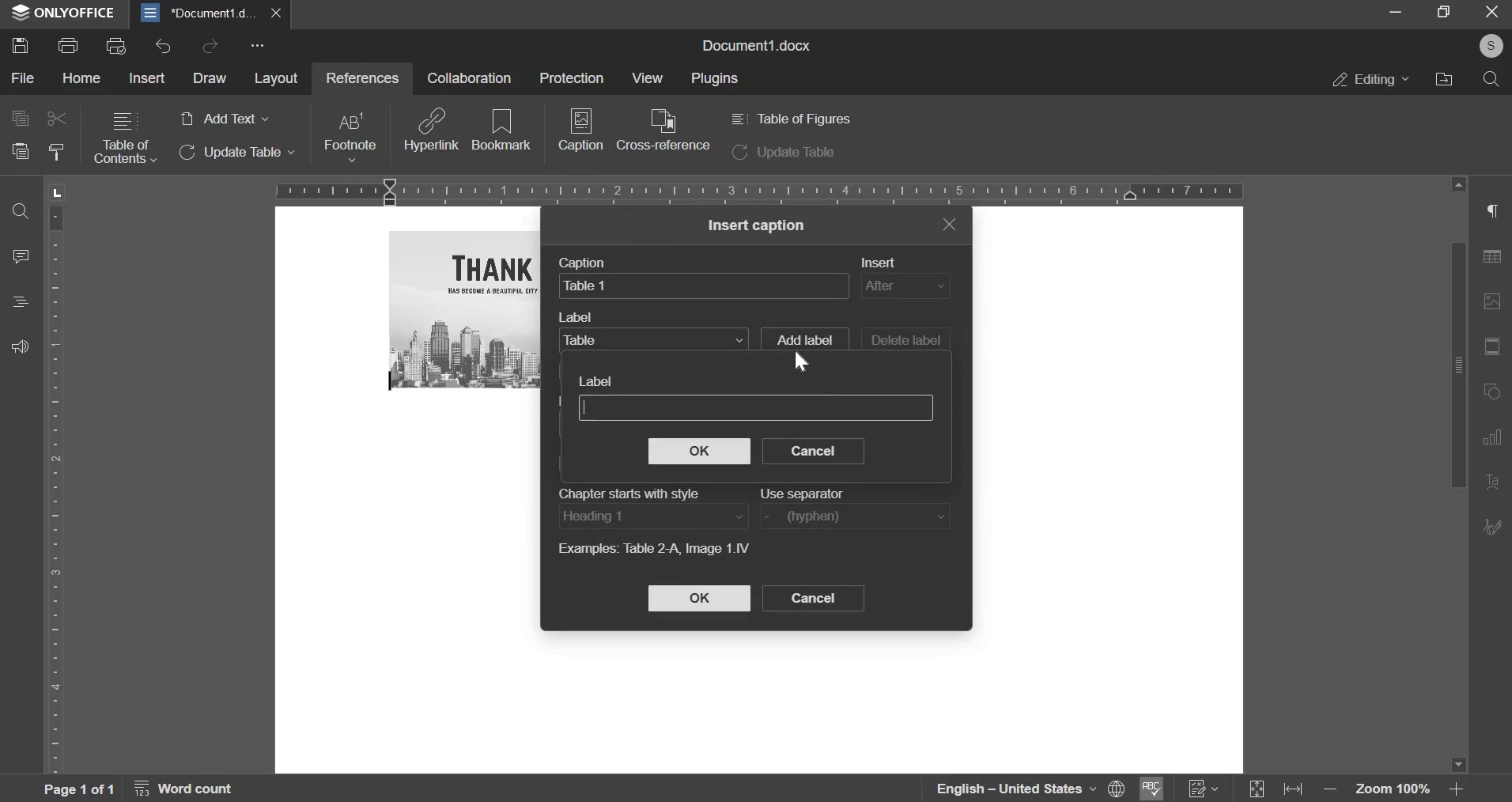  What do you see at coordinates (760, 44) in the screenshot?
I see `document1.docx` at bounding box center [760, 44].